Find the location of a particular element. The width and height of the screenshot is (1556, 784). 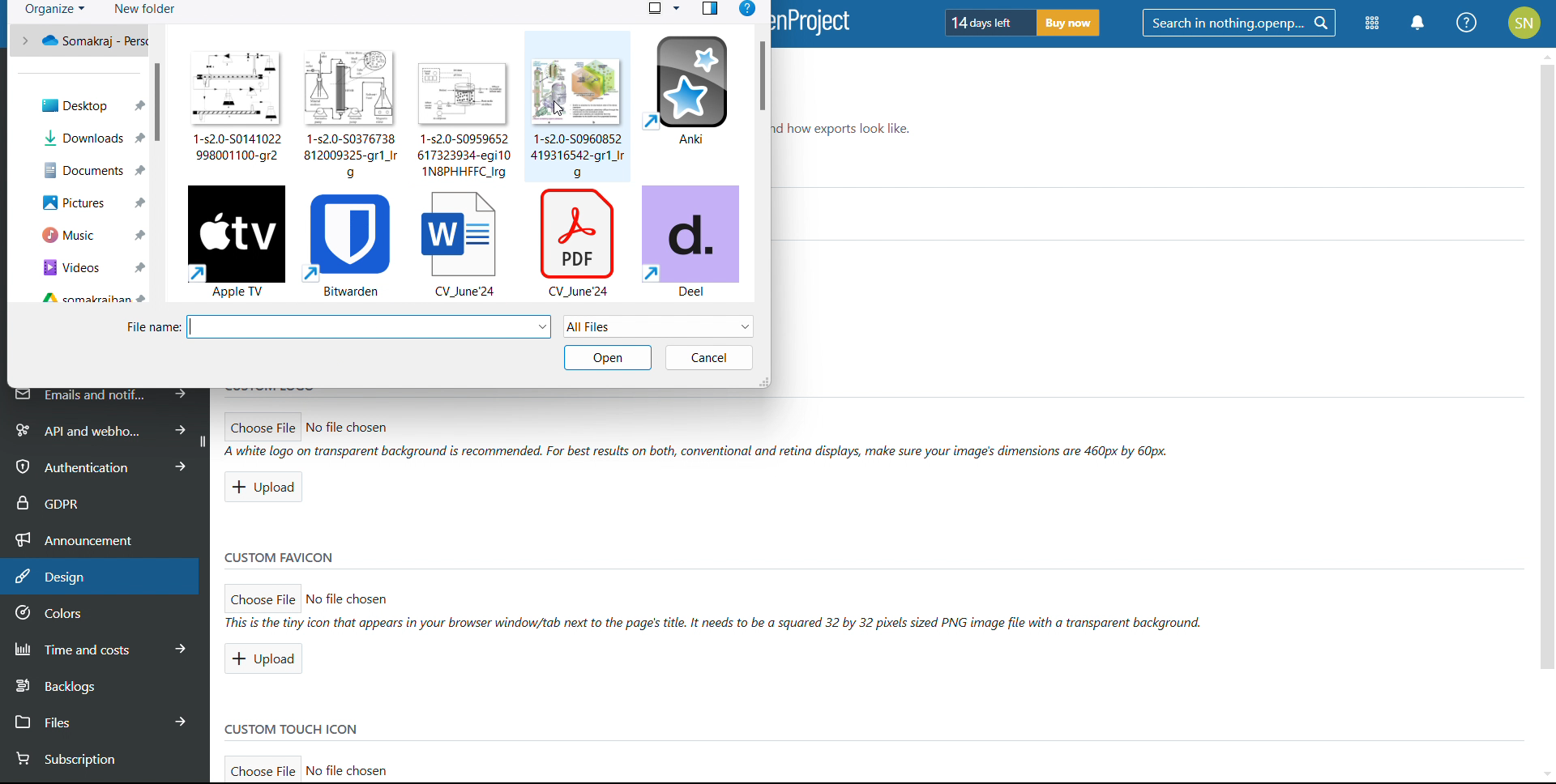

No file chosen is located at coordinates (356, 425).